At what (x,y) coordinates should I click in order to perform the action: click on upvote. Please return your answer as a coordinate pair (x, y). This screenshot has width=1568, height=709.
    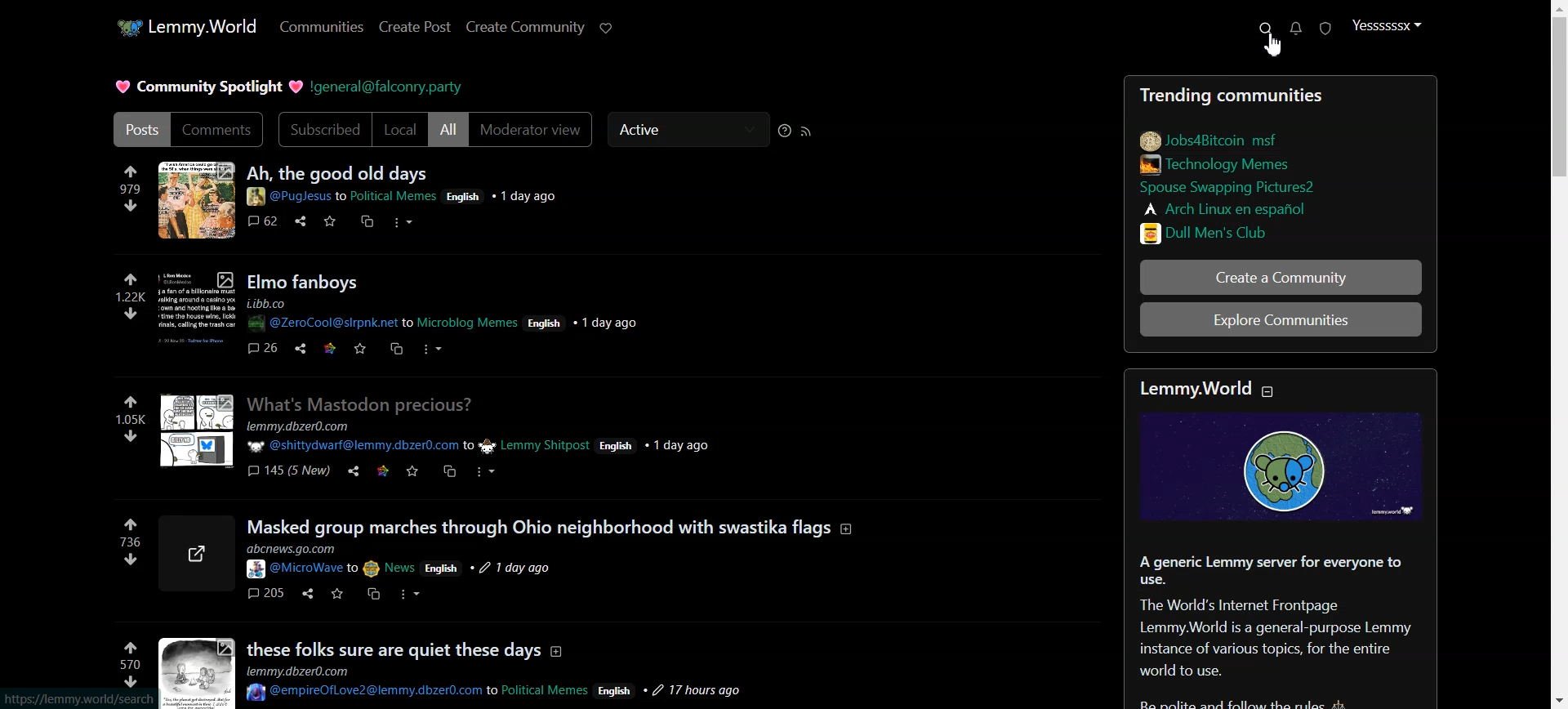
    Looking at the image, I should click on (127, 524).